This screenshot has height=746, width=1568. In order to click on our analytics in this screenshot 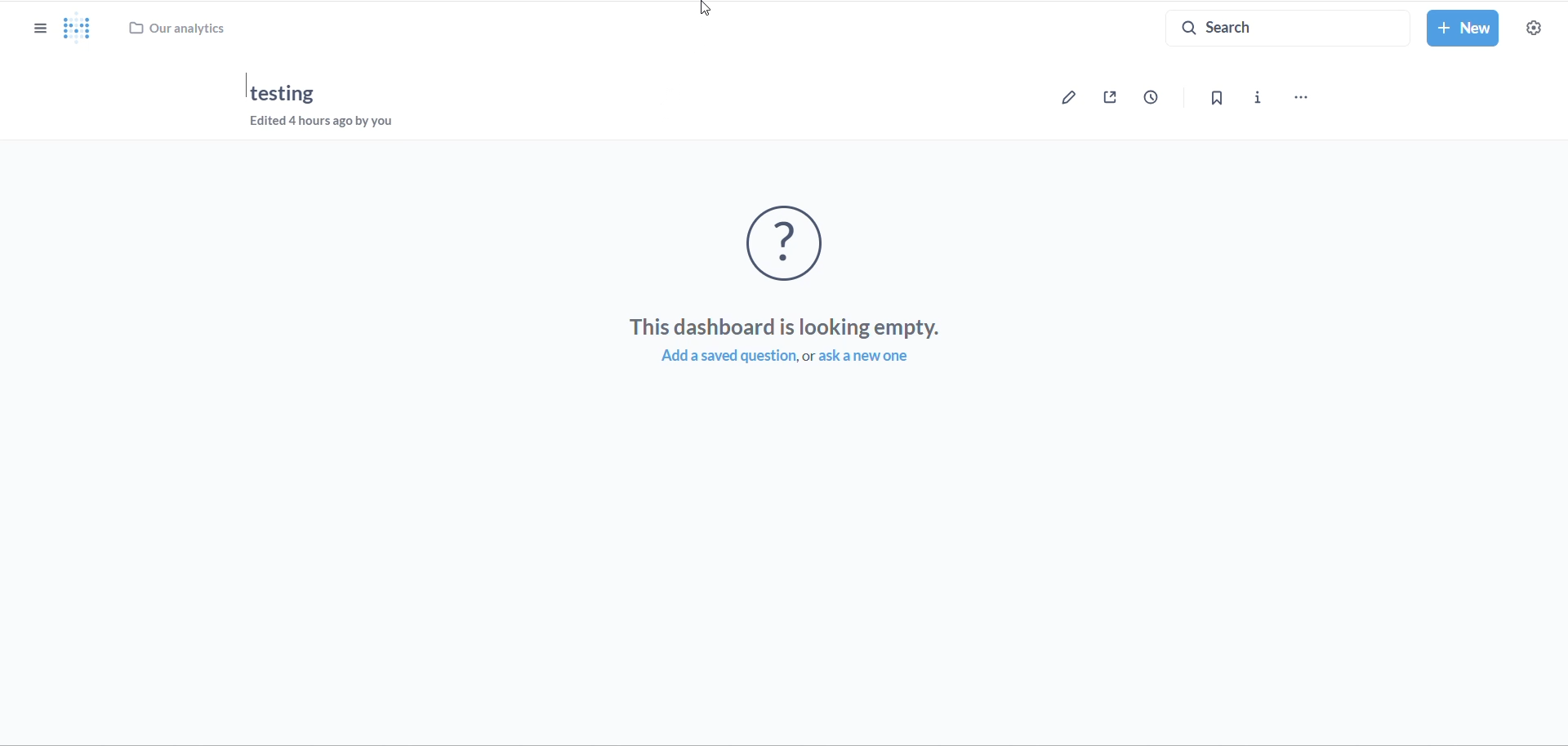, I will do `click(185, 29)`.